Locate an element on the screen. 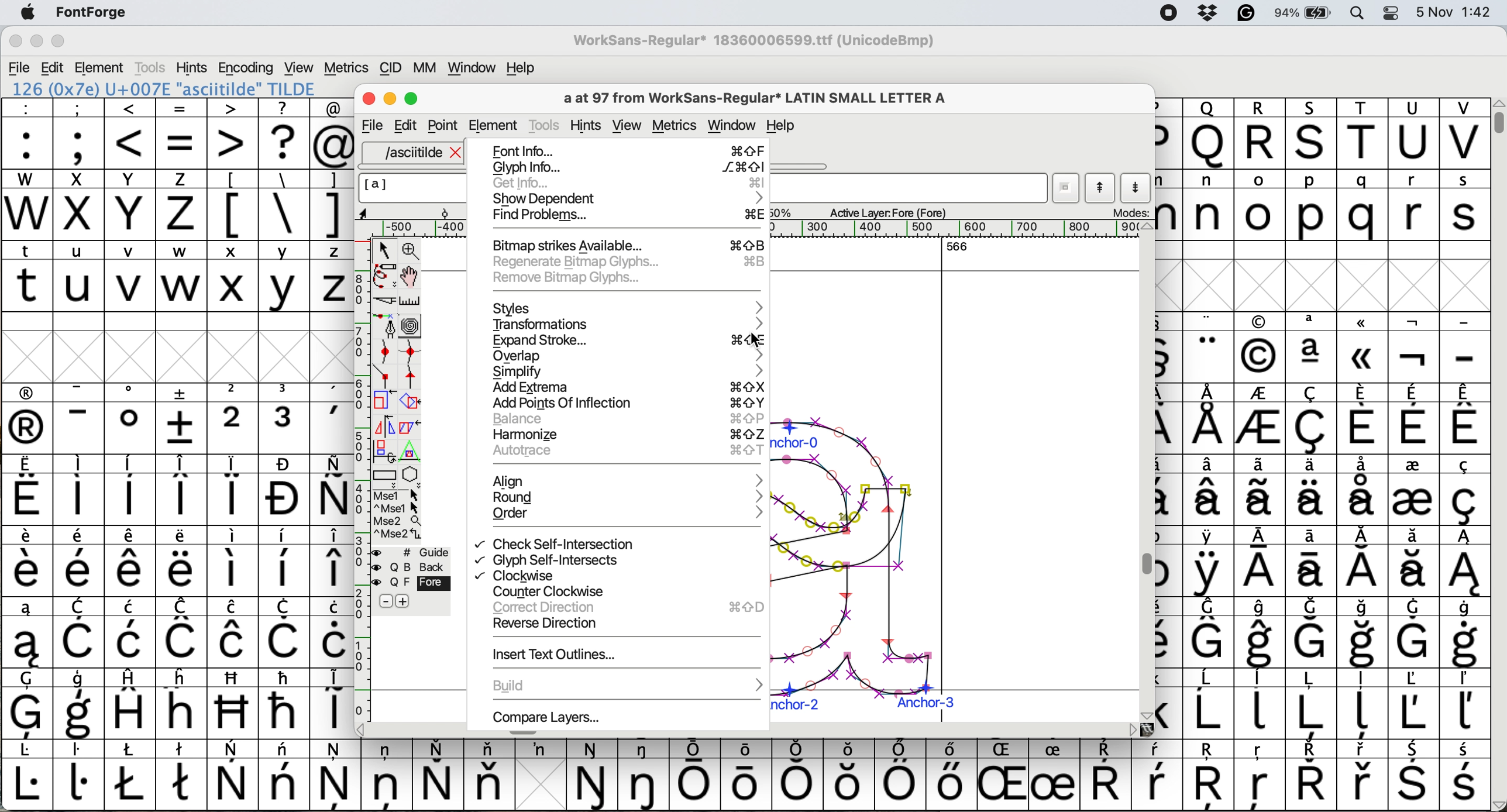  get info is located at coordinates (628, 182).